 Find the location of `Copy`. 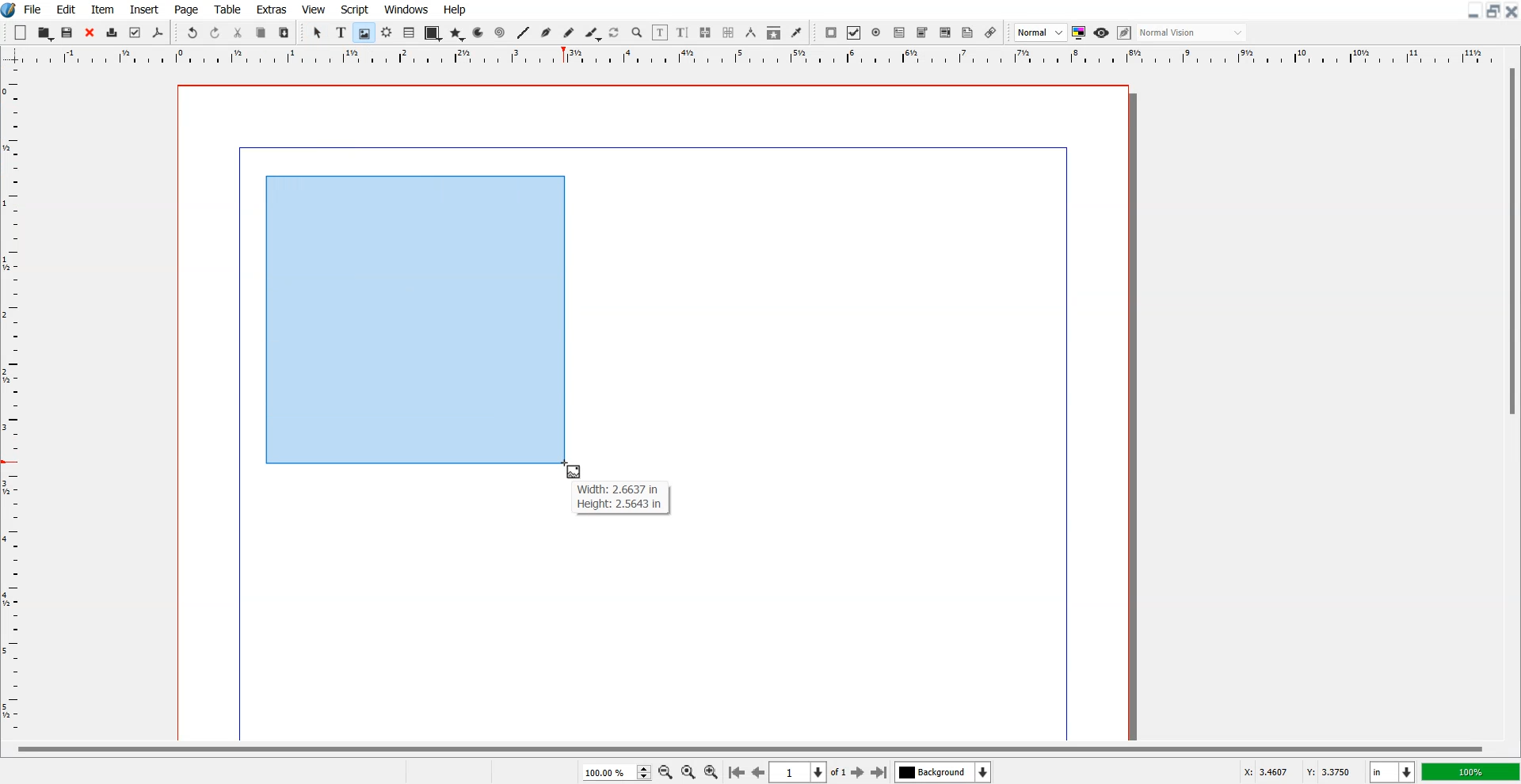

Copy is located at coordinates (261, 32).